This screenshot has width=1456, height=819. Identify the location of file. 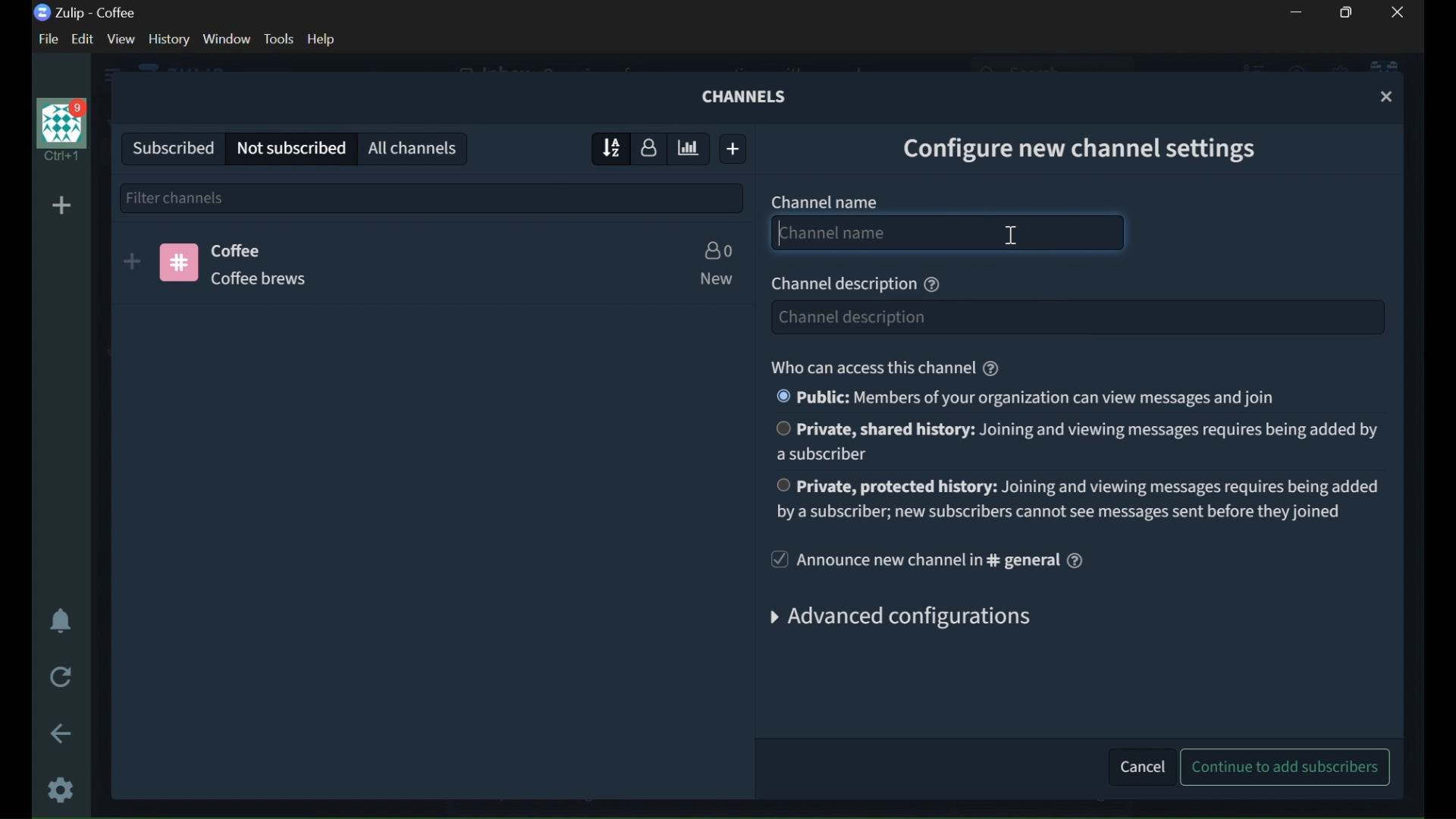
(45, 39).